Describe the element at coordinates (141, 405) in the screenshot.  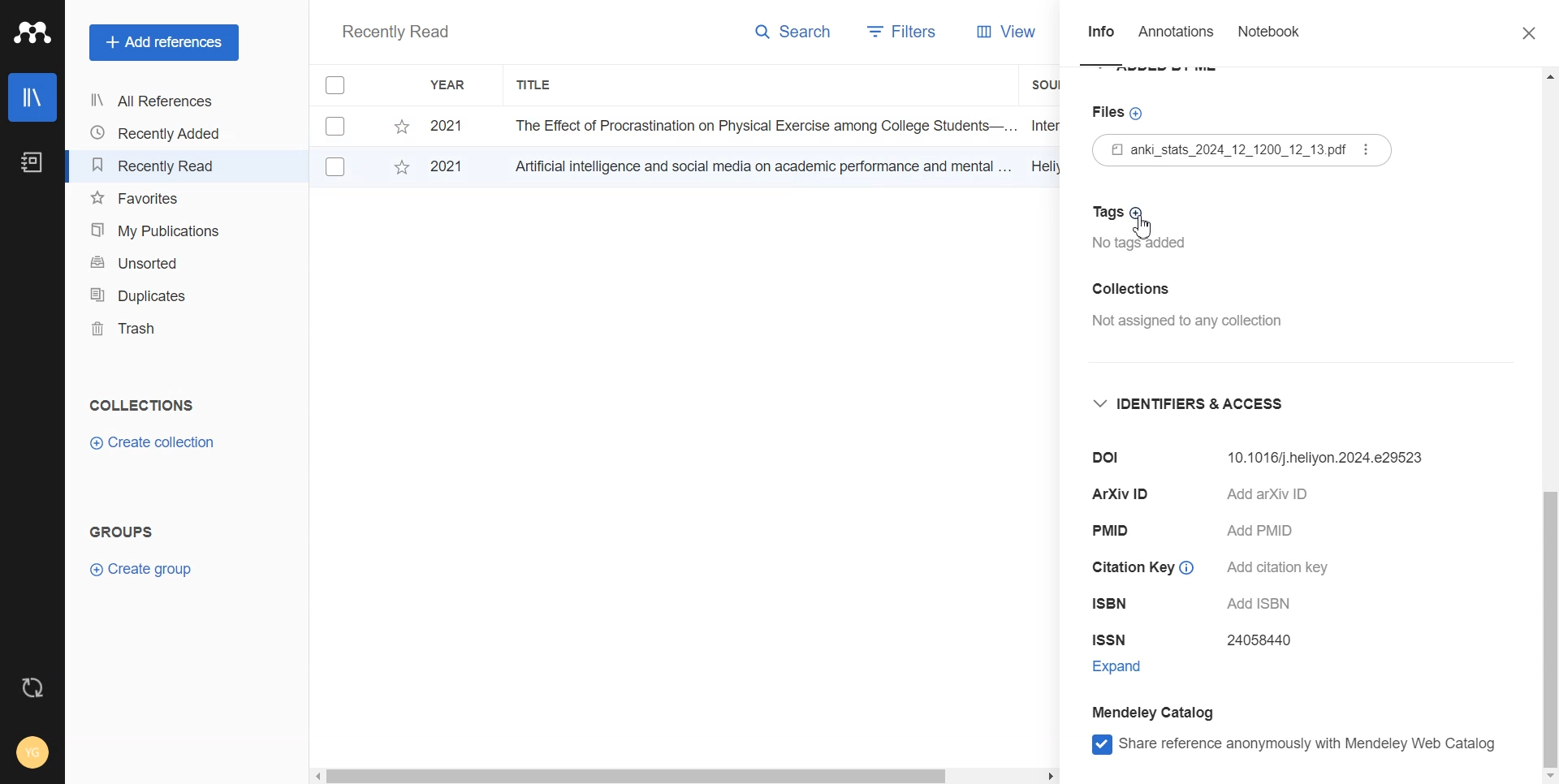
I see `Collections` at that location.